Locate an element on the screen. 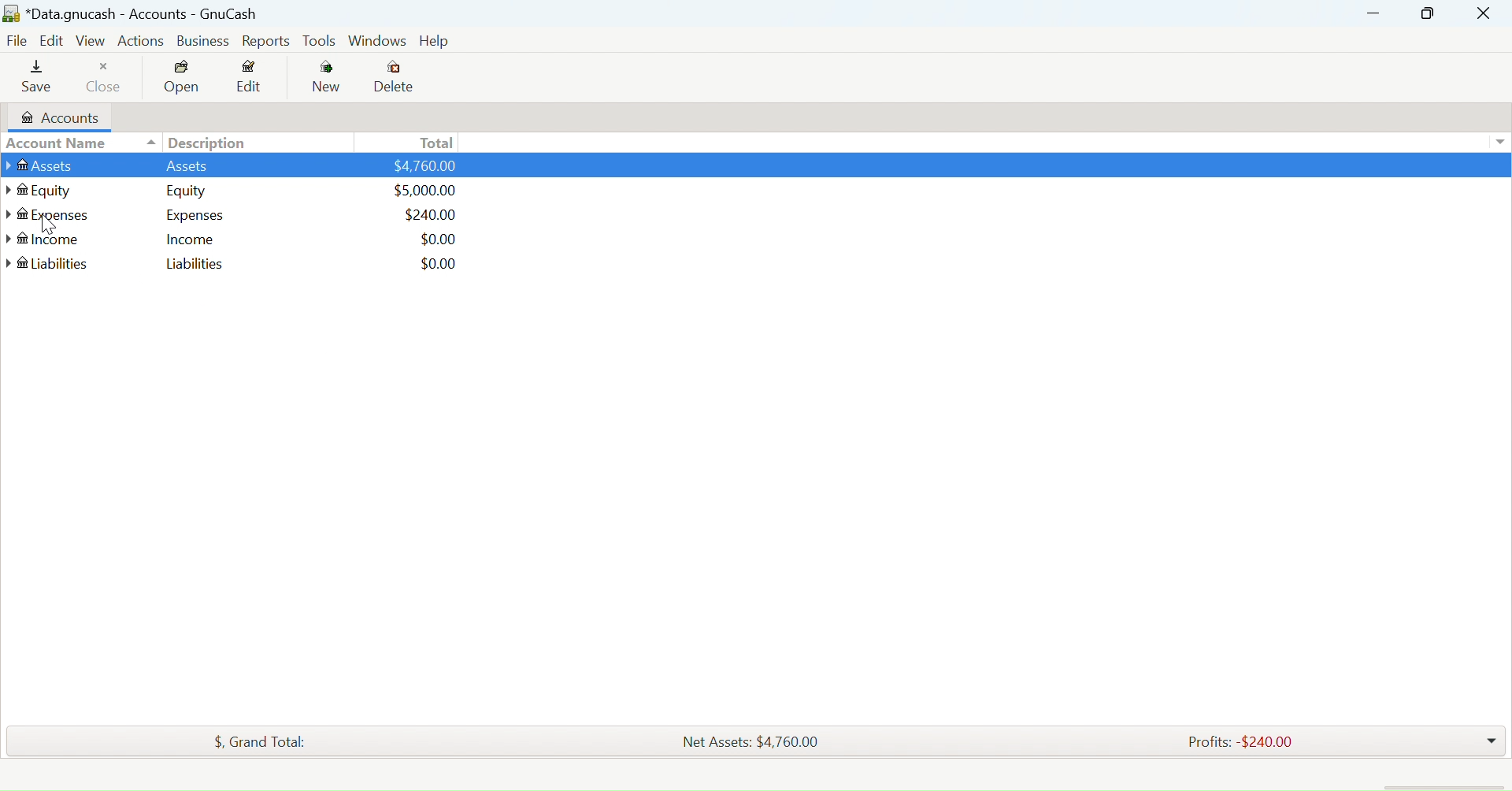 The height and width of the screenshot is (791, 1512). Edit is located at coordinates (251, 79).